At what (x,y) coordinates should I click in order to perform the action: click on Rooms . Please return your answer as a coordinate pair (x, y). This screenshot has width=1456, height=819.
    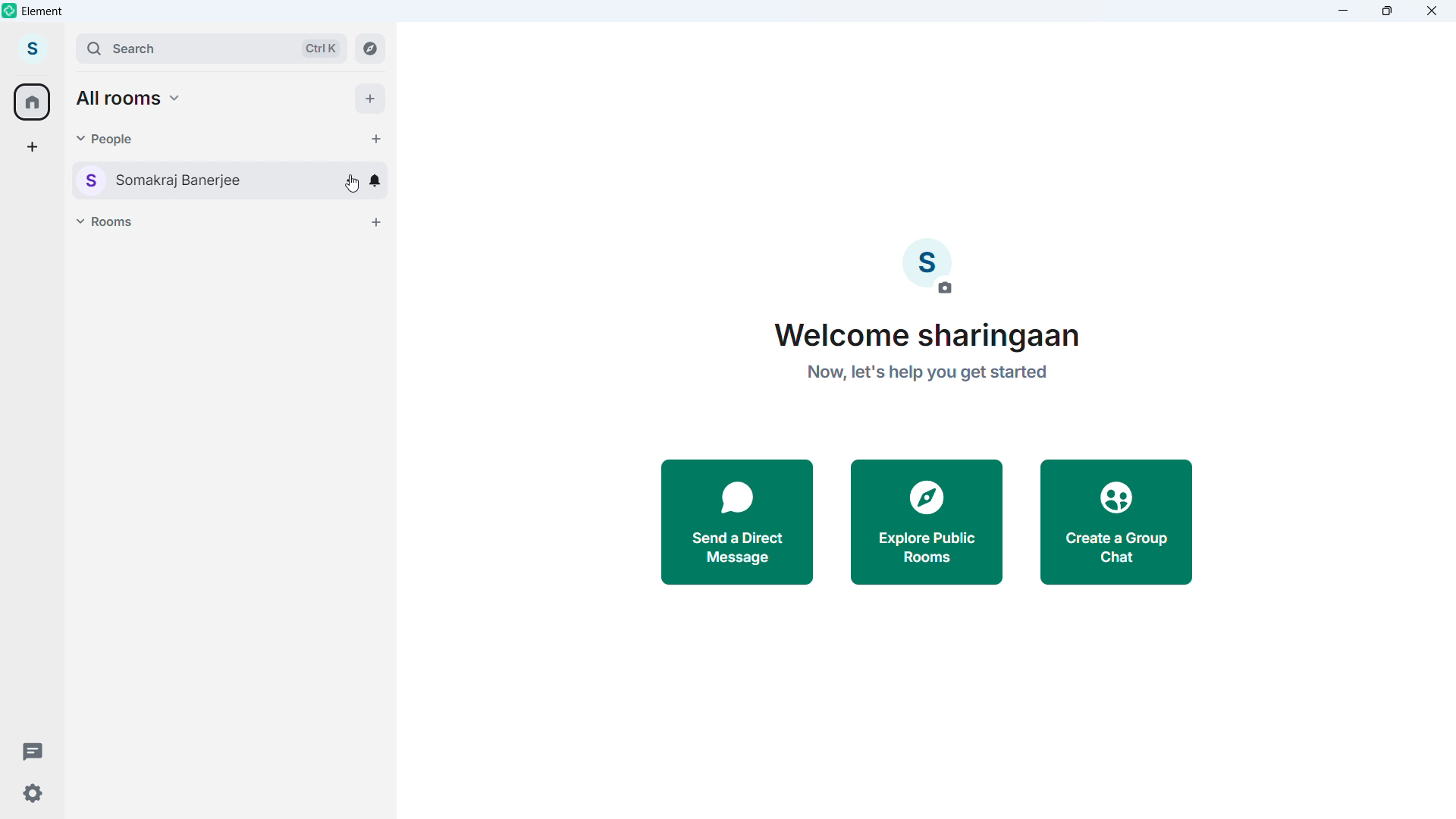
    Looking at the image, I should click on (108, 221).